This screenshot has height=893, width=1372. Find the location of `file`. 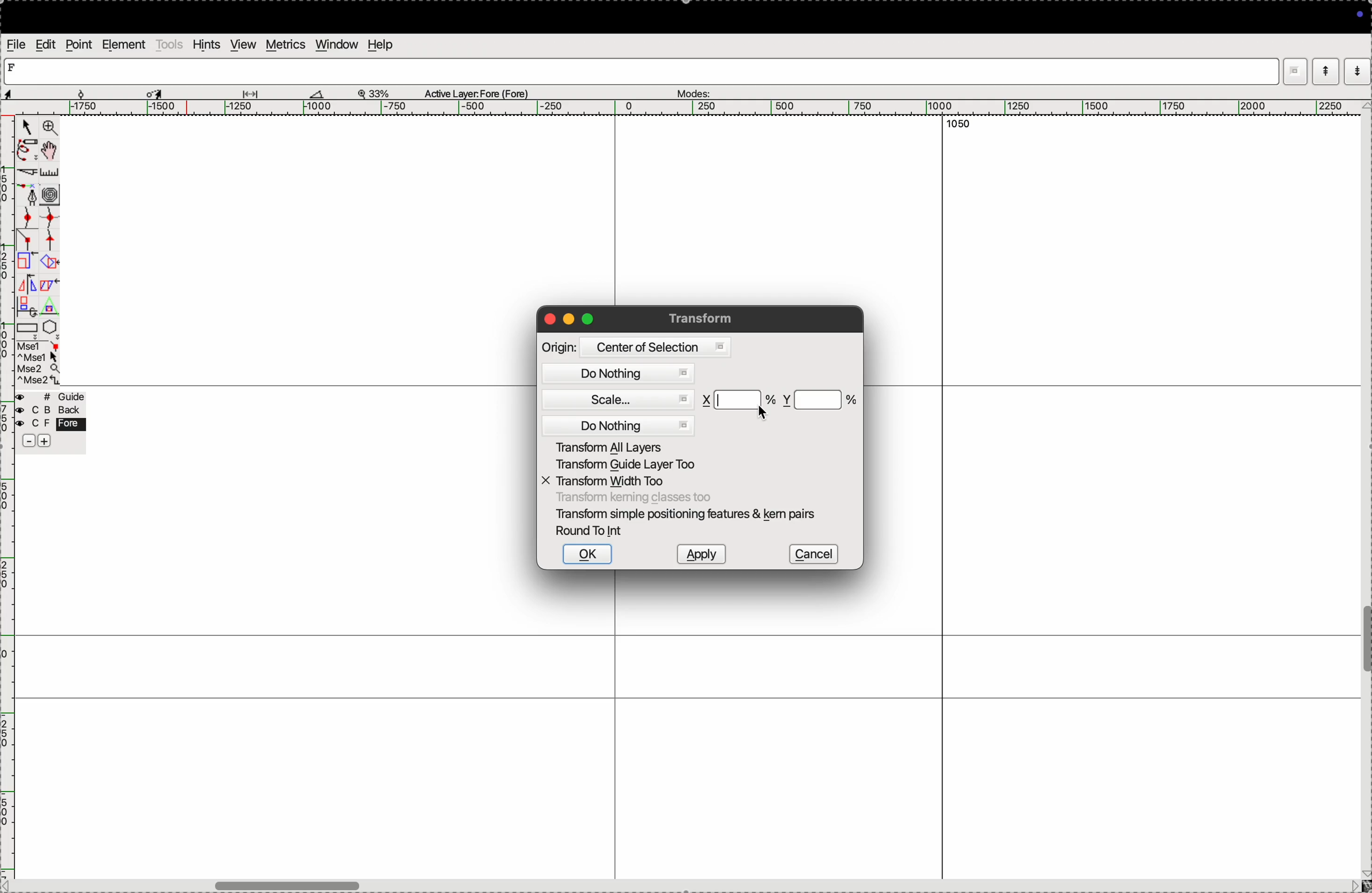

file is located at coordinates (17, 44).